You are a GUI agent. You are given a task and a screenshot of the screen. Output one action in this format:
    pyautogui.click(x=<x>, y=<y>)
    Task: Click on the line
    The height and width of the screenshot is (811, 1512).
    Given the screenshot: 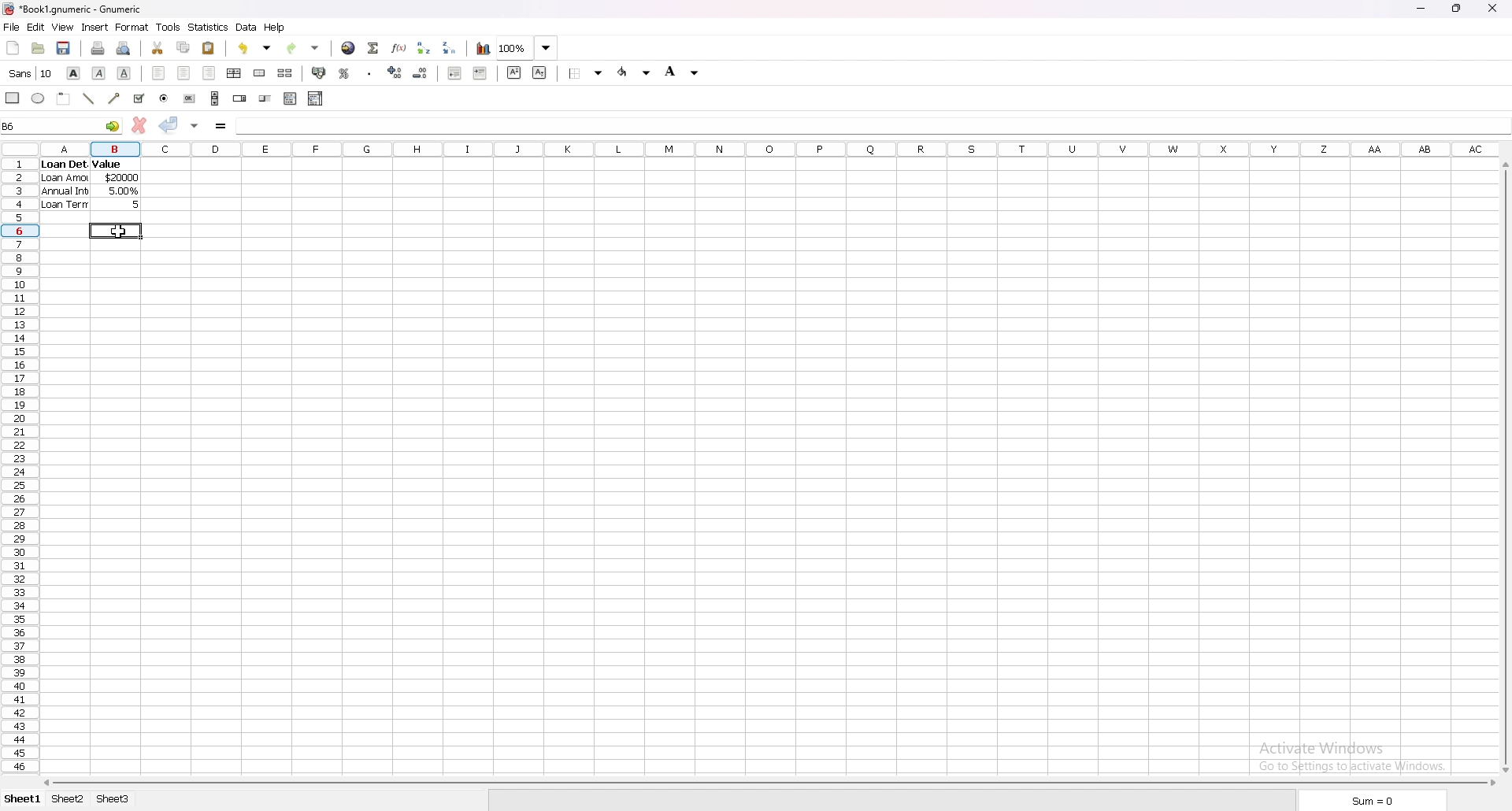 What is the action you would take?
    pyautogui.click(x=89, y=99)
    